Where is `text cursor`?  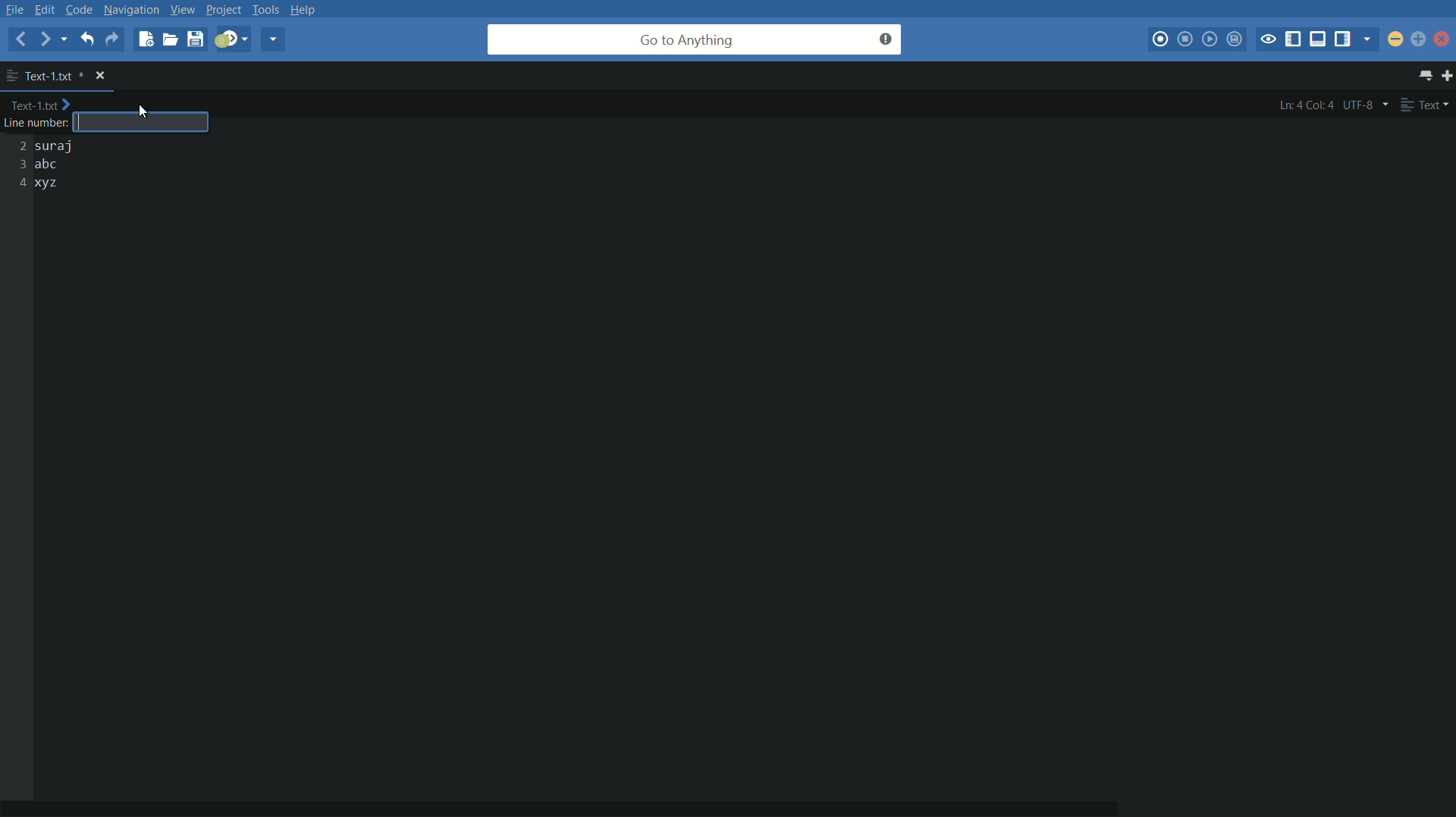 text cursor is located at coordinates (86, 114).